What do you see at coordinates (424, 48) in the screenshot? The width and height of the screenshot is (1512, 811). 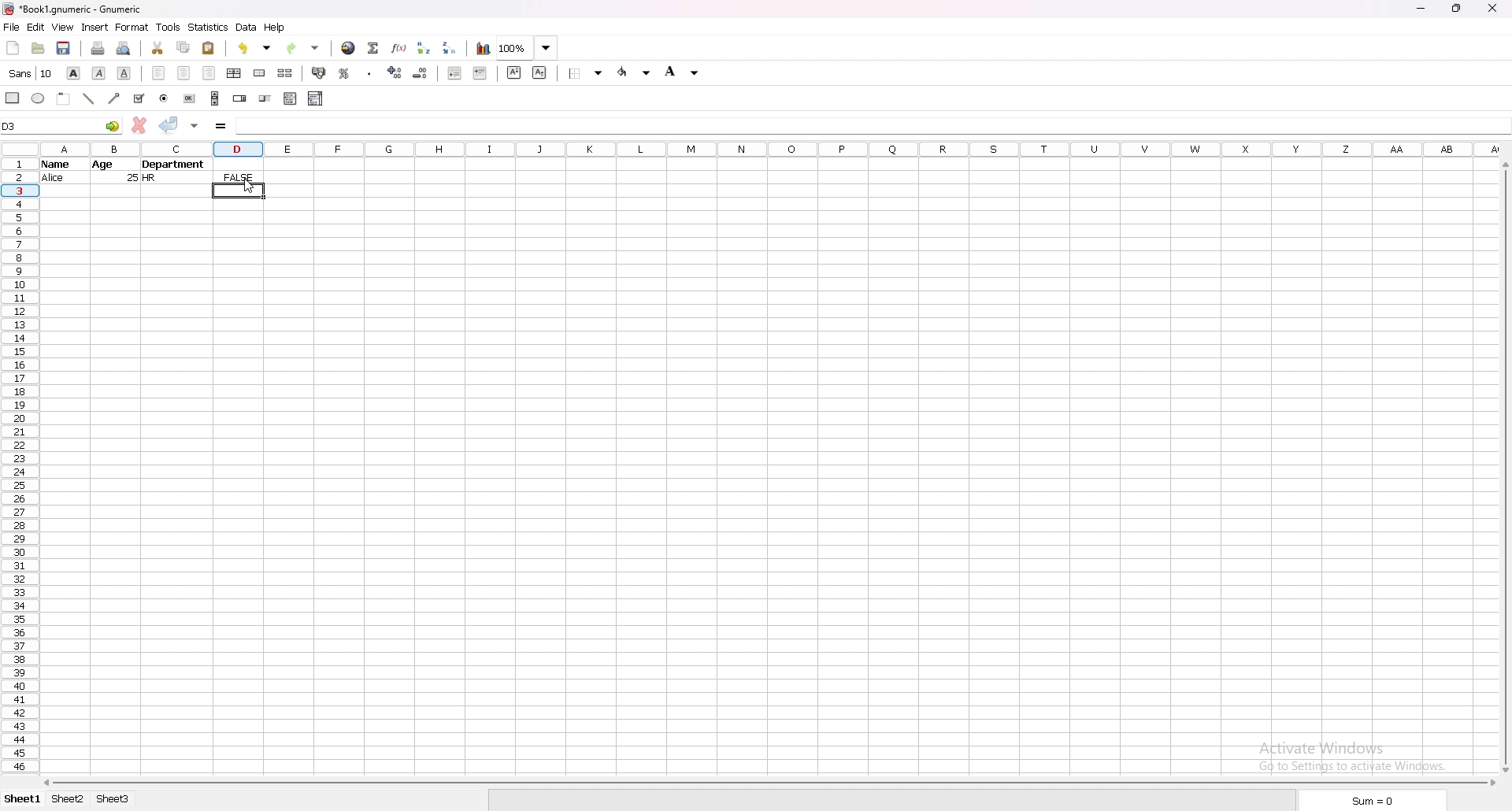 I see `sort ascending` at bounding box center [424, 48].